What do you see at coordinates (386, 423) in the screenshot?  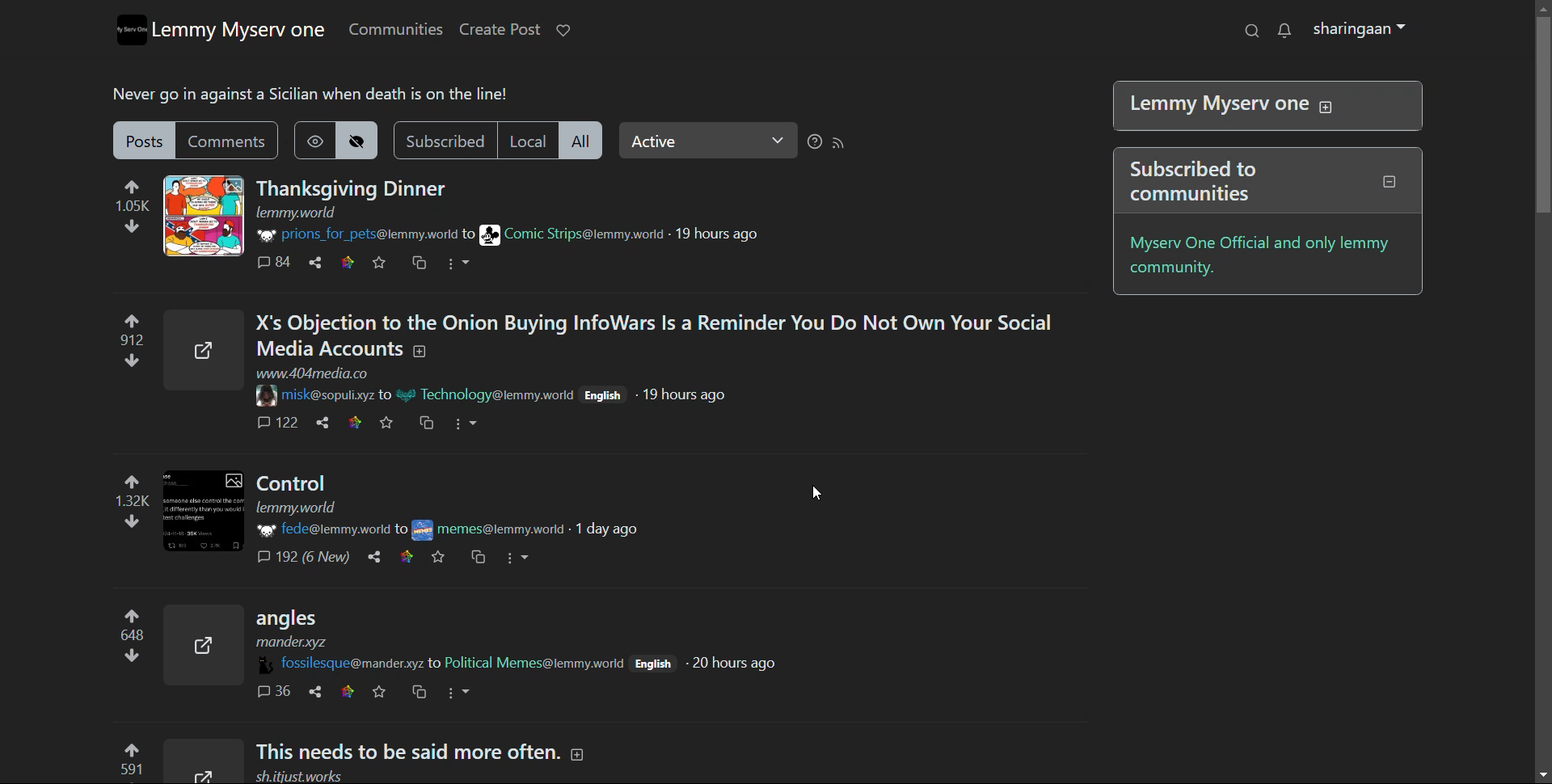 I see `favorite` at bounding box center [386, 423].